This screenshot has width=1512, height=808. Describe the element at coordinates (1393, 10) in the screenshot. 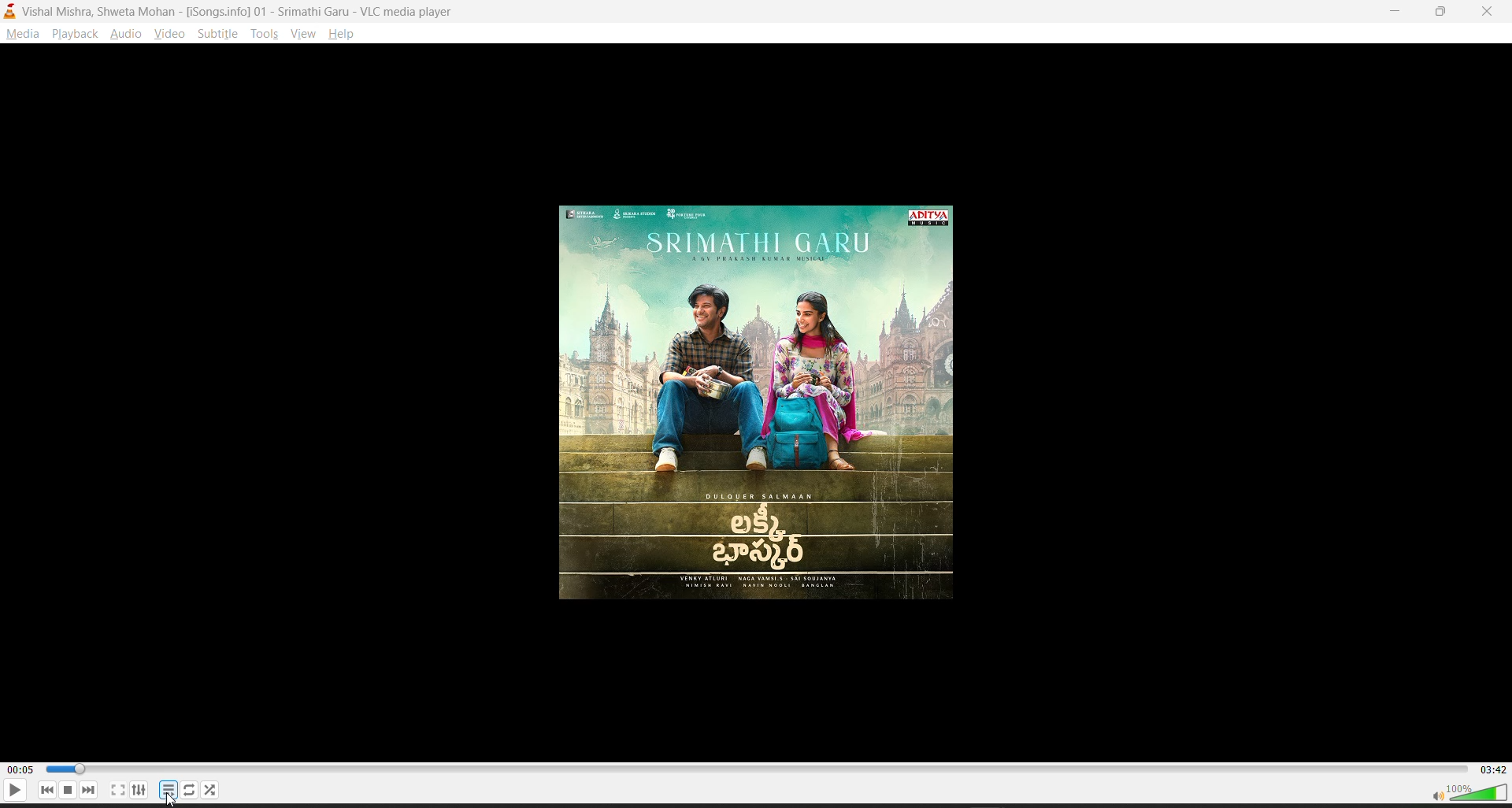

I see `minimize` at that location.